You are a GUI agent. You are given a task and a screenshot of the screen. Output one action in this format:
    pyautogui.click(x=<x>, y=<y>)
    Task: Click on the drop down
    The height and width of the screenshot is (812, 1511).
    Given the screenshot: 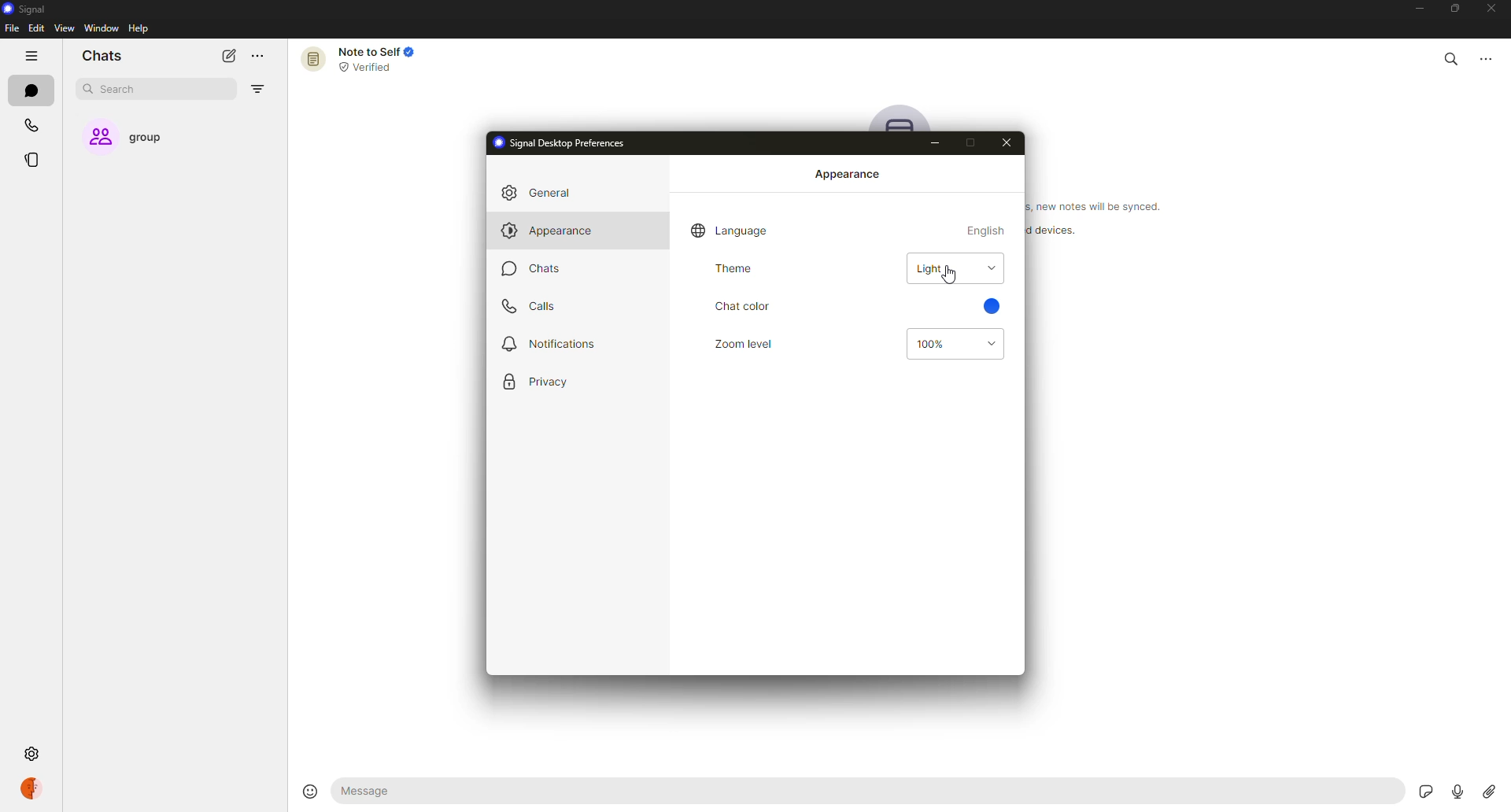 What is the action you would take?
    pyautogui.click(x=992, y=344)
    